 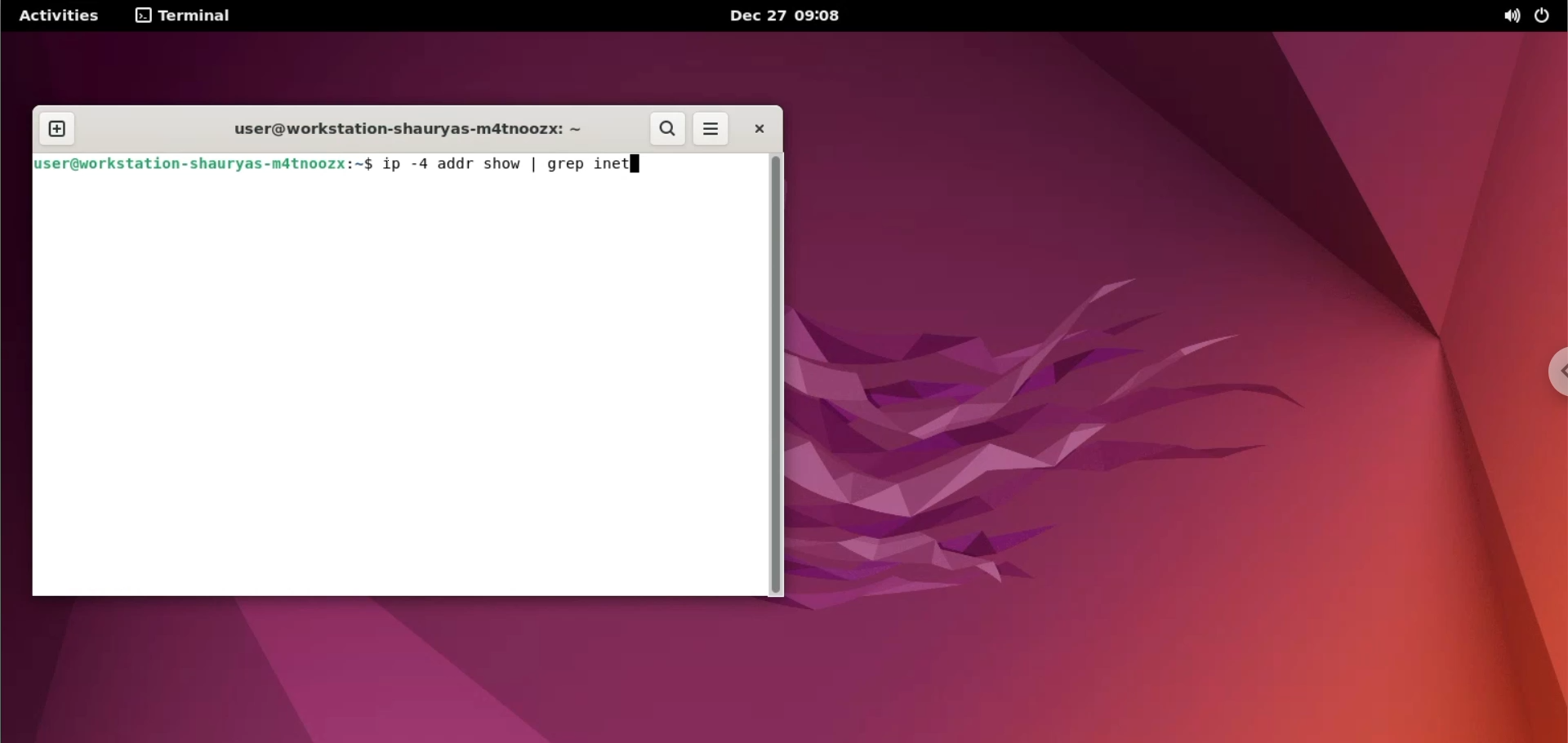 What do you see at coordinates (504, 163) in the screenshot?
I see `ip -4 addr show | grep inet` at bounding box center [504, 163].